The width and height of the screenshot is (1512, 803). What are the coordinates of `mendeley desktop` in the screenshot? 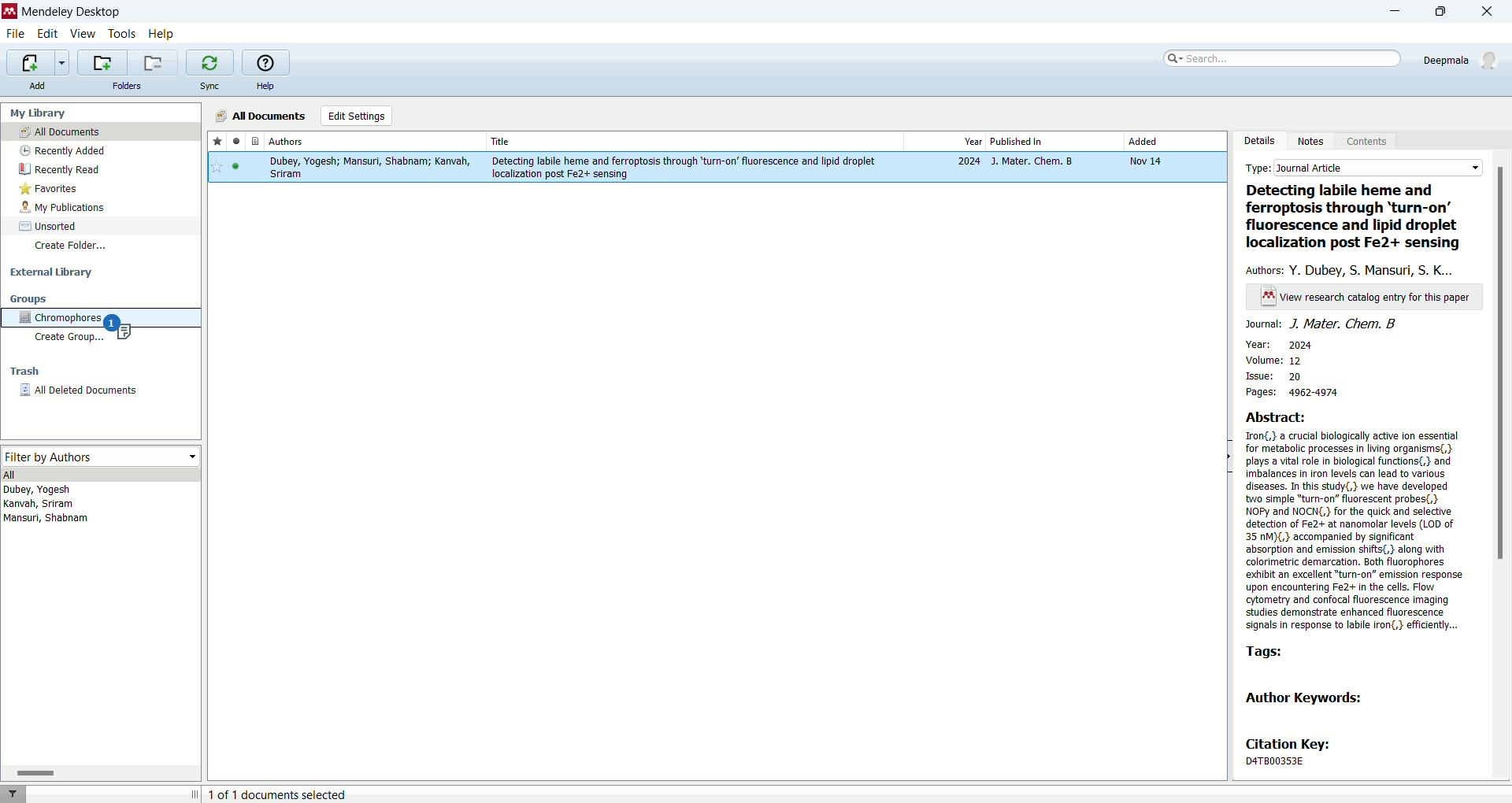 It's located at (70, 12).